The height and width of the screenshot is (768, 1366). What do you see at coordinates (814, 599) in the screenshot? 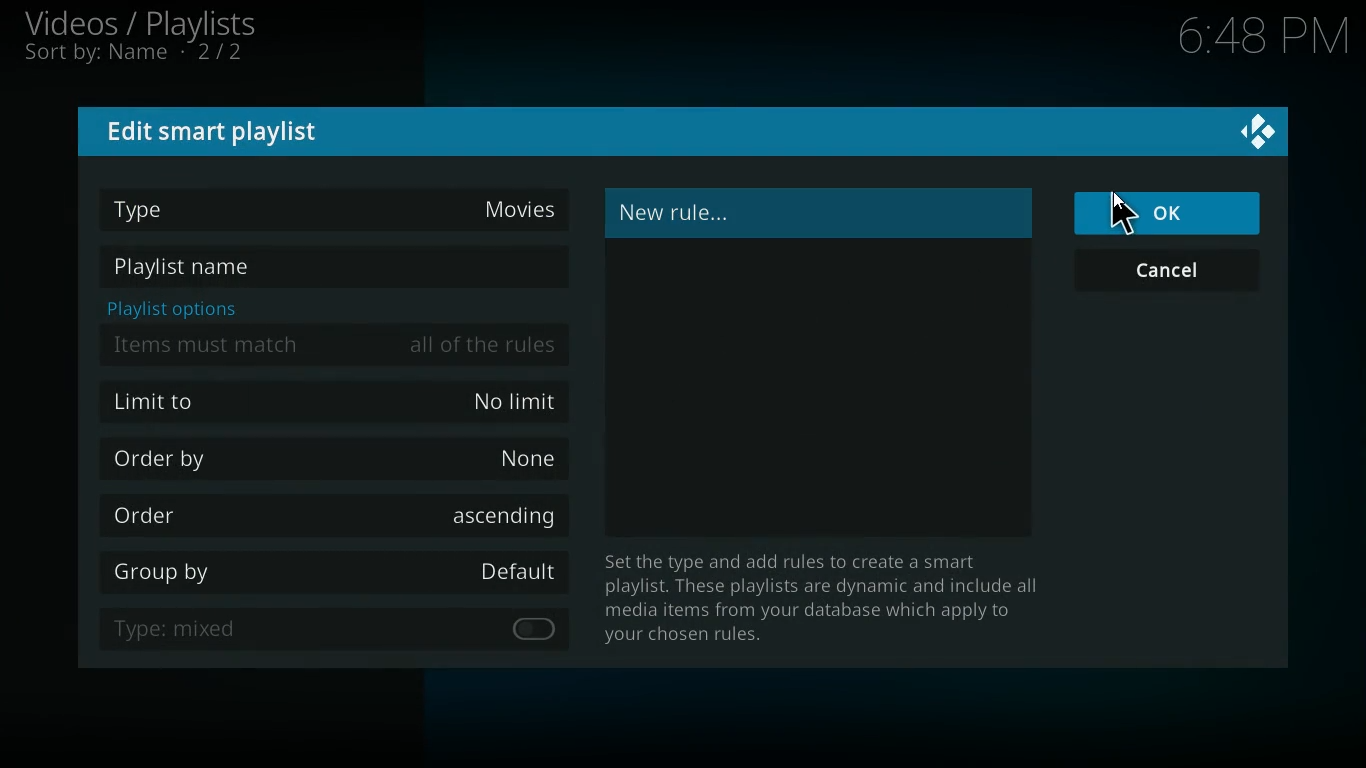
I see `description` at bounding box center [814, 599].